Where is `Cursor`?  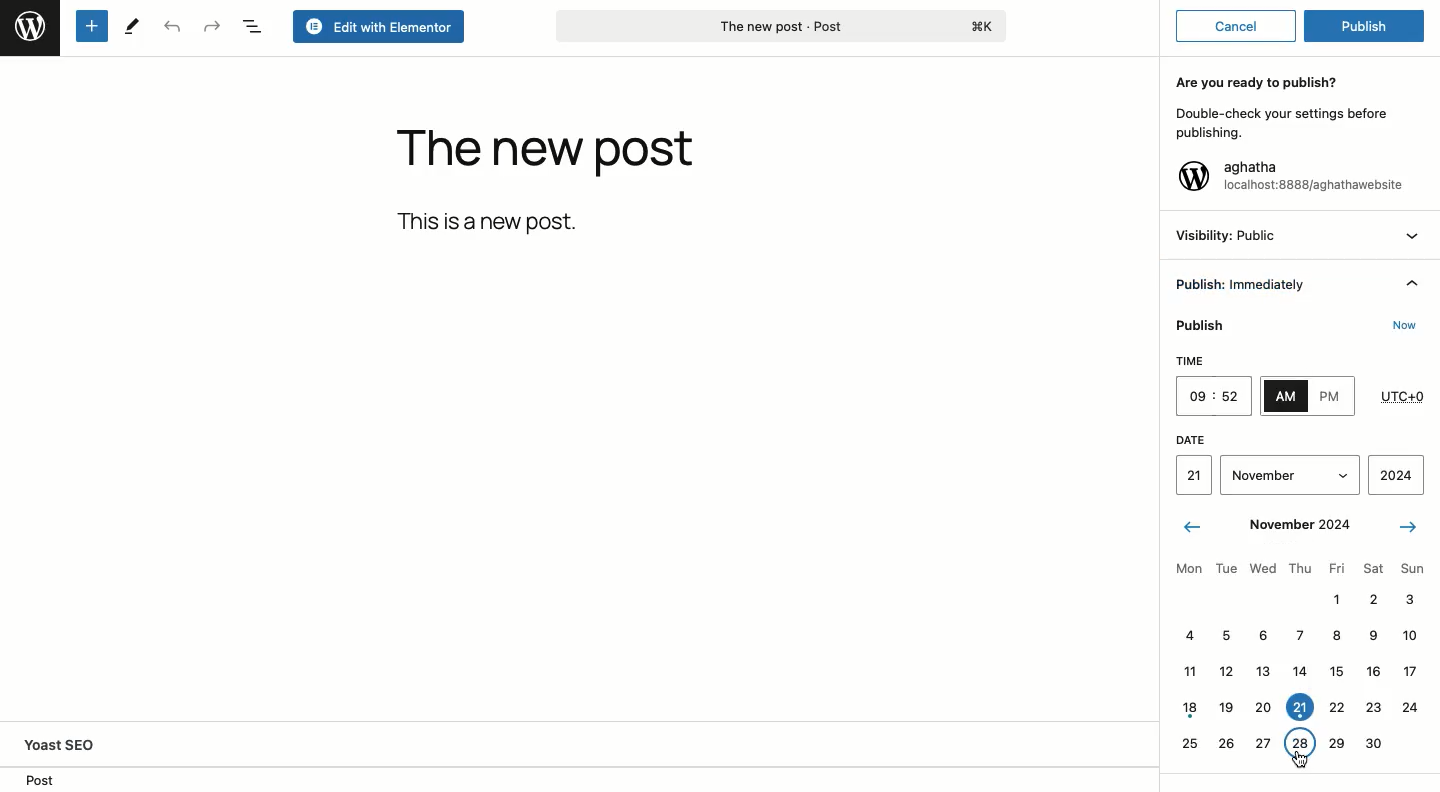 Cursor is located at coordinates (1298, 756).